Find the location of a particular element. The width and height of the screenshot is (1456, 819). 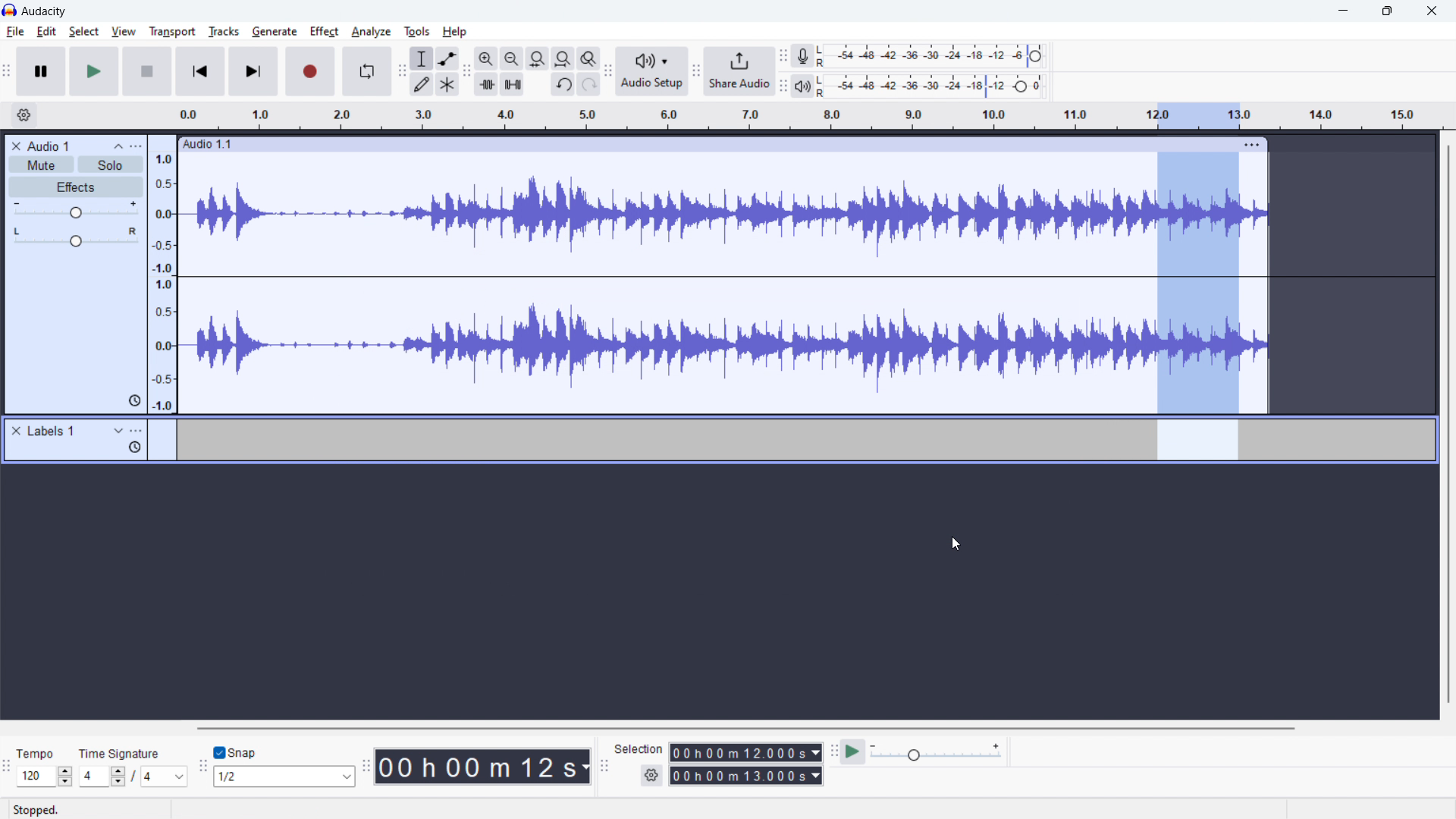

zoom in is located at coordinates (486, 58).